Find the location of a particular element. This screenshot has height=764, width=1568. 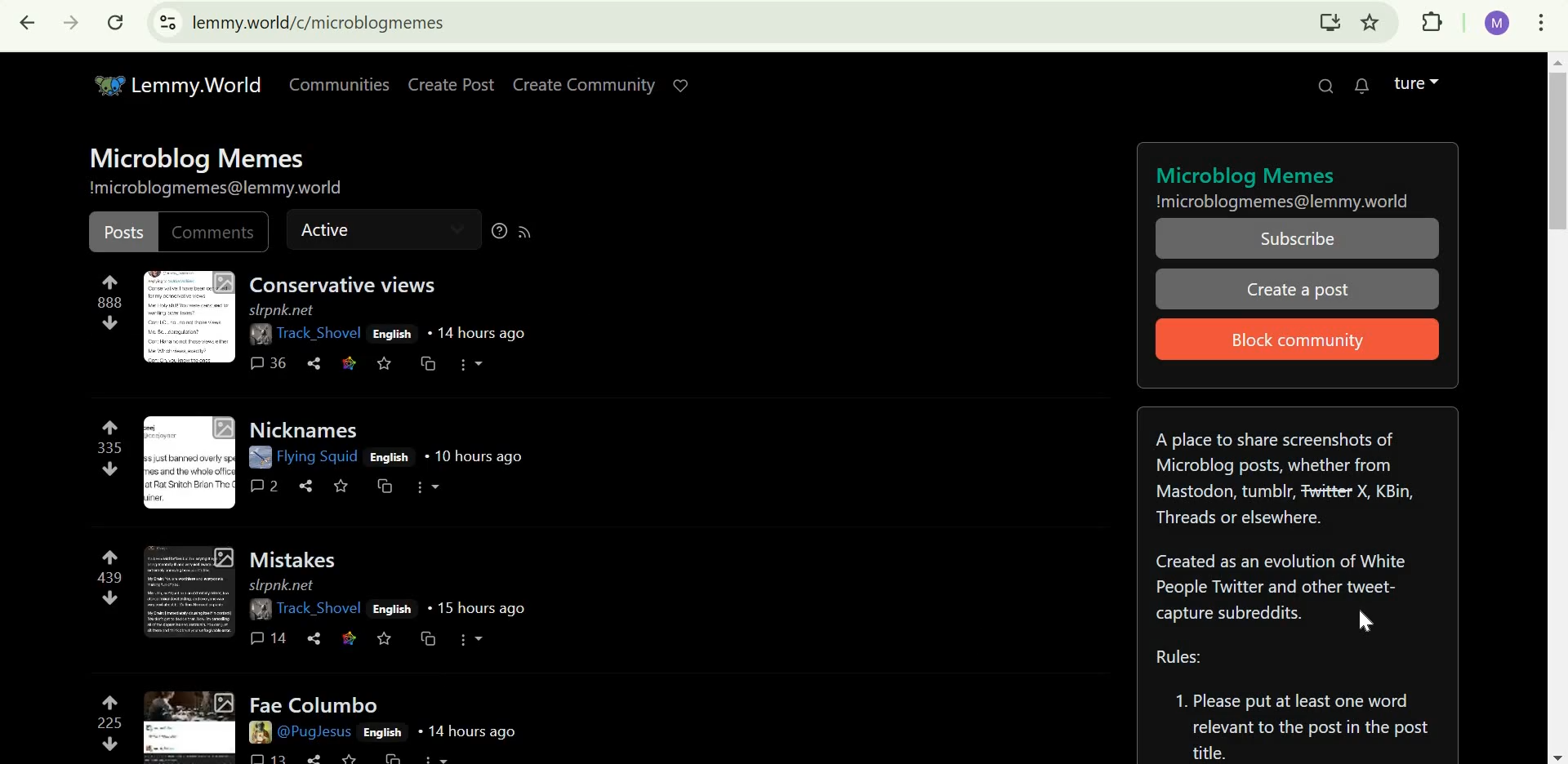

Comments is located at coordinates (212, 232).